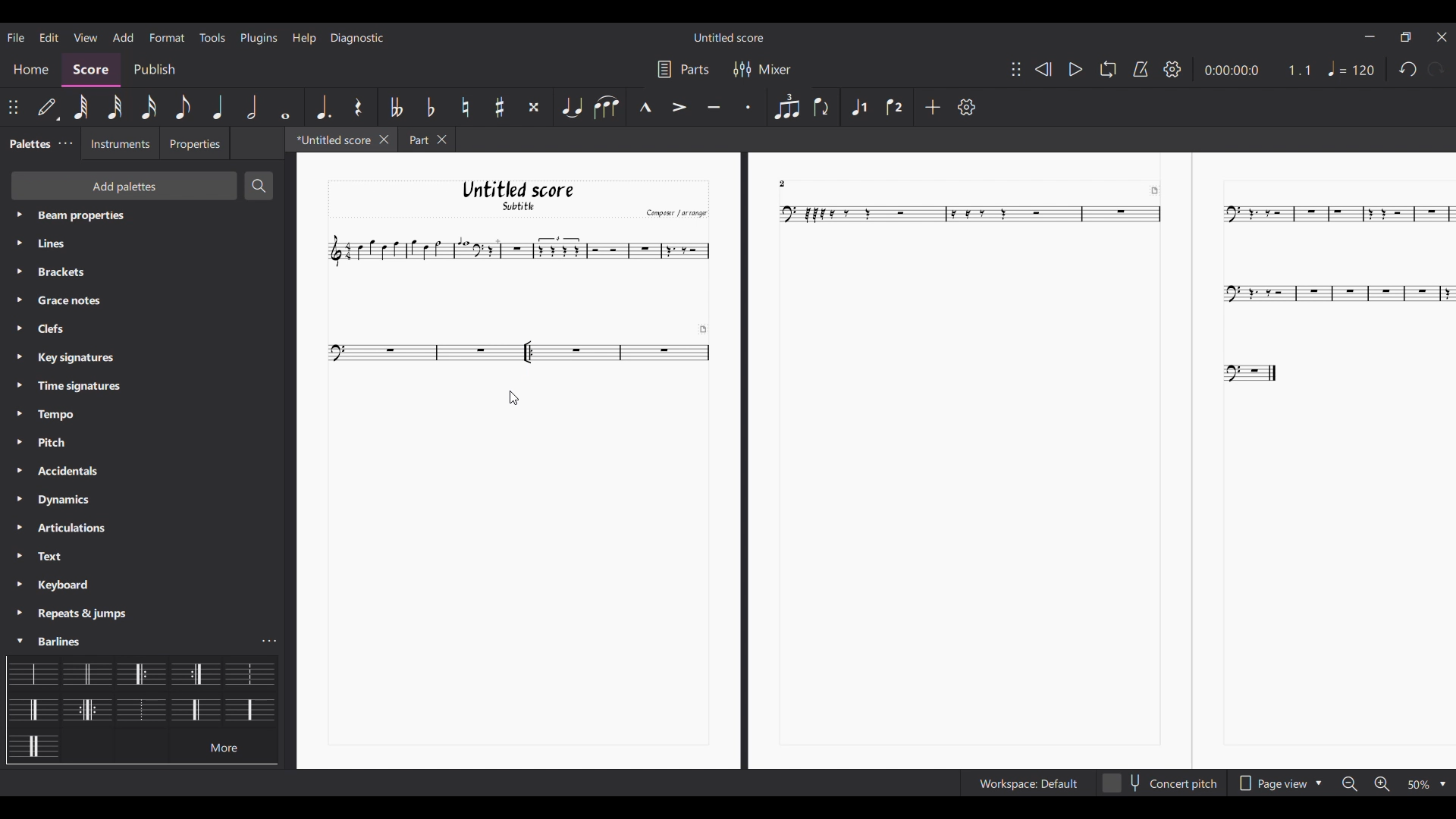  I want to click on Change position, so click(1016, 69).